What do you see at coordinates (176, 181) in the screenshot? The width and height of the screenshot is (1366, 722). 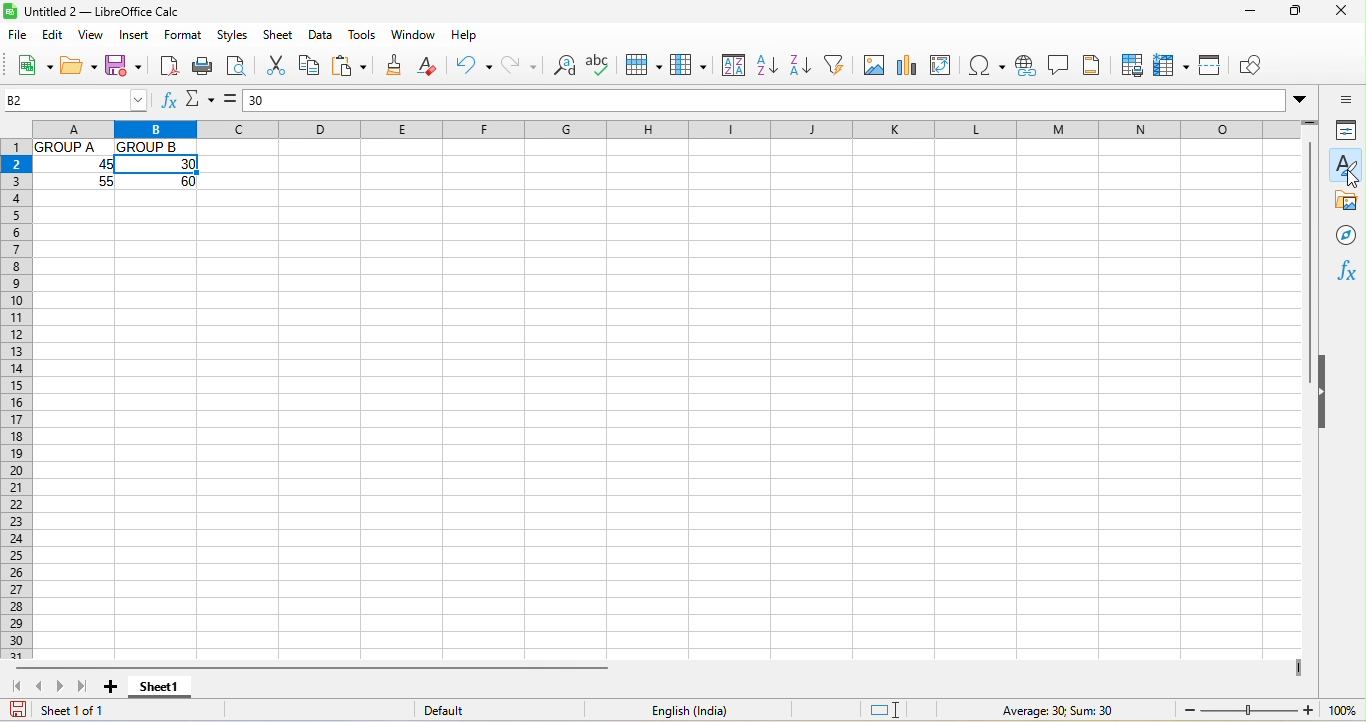 I see `60` at bounding box center [176, 181].